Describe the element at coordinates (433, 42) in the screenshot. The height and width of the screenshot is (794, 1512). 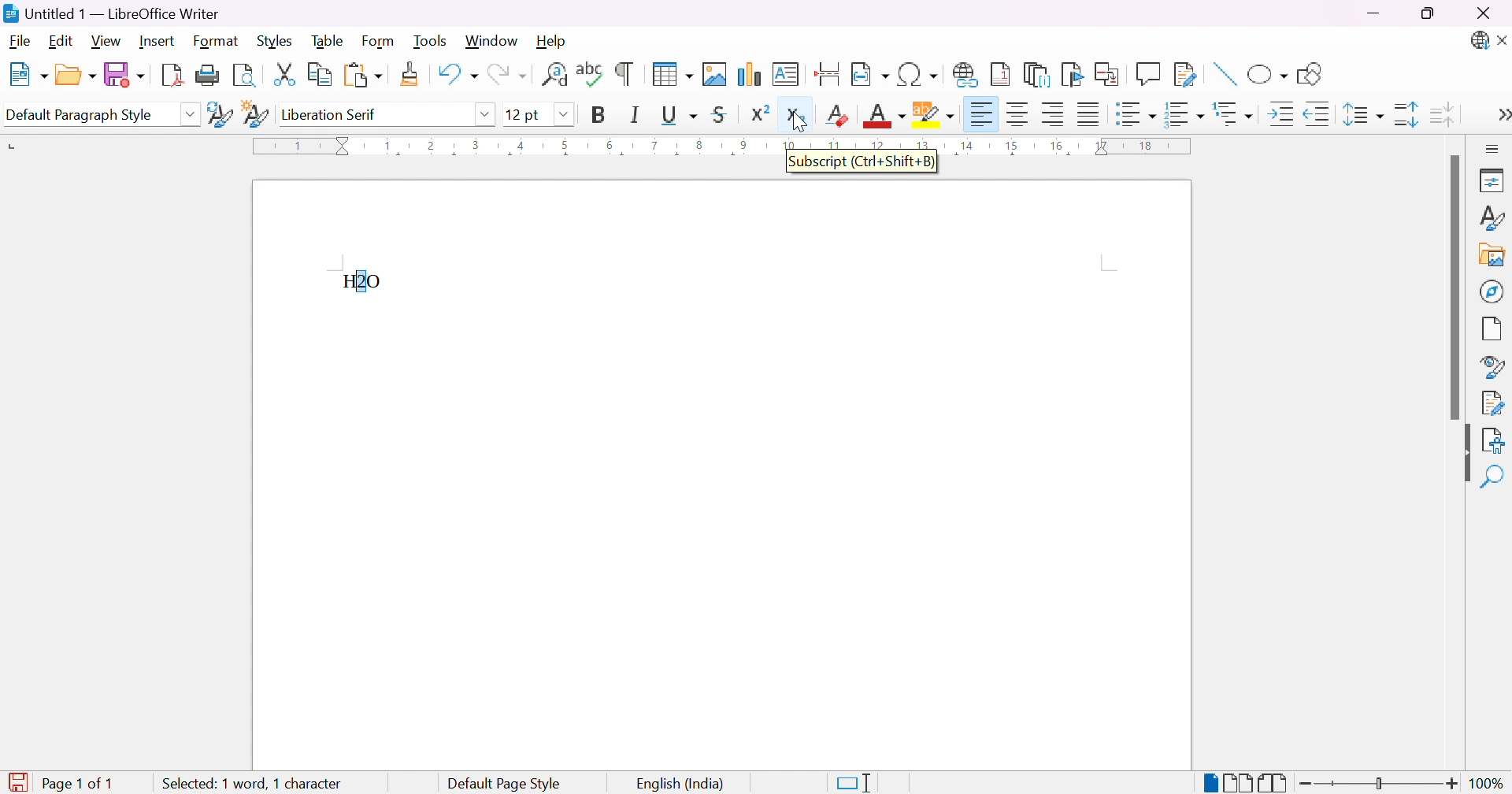
I see `Tools` at that location.